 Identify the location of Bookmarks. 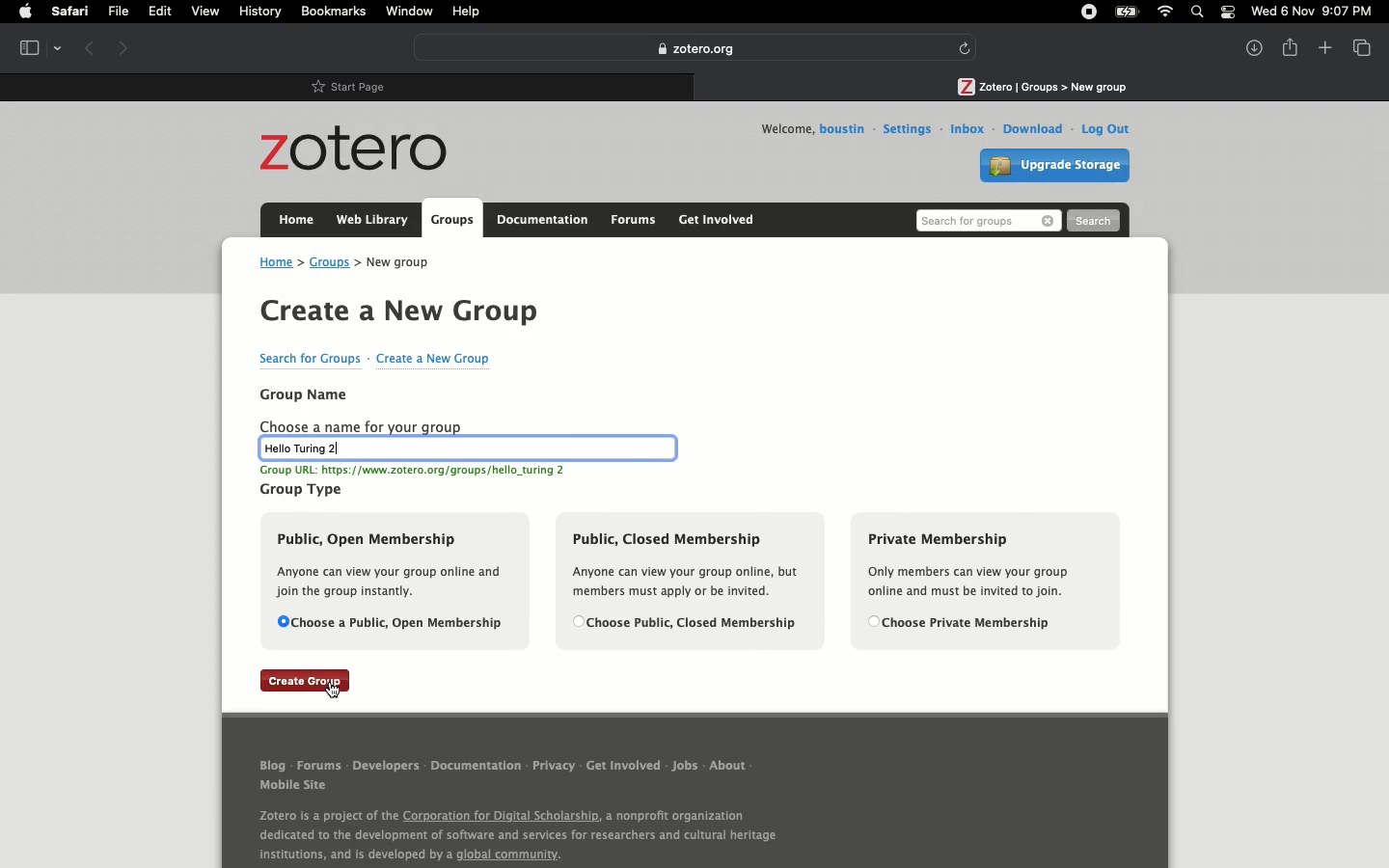
(334, 12).